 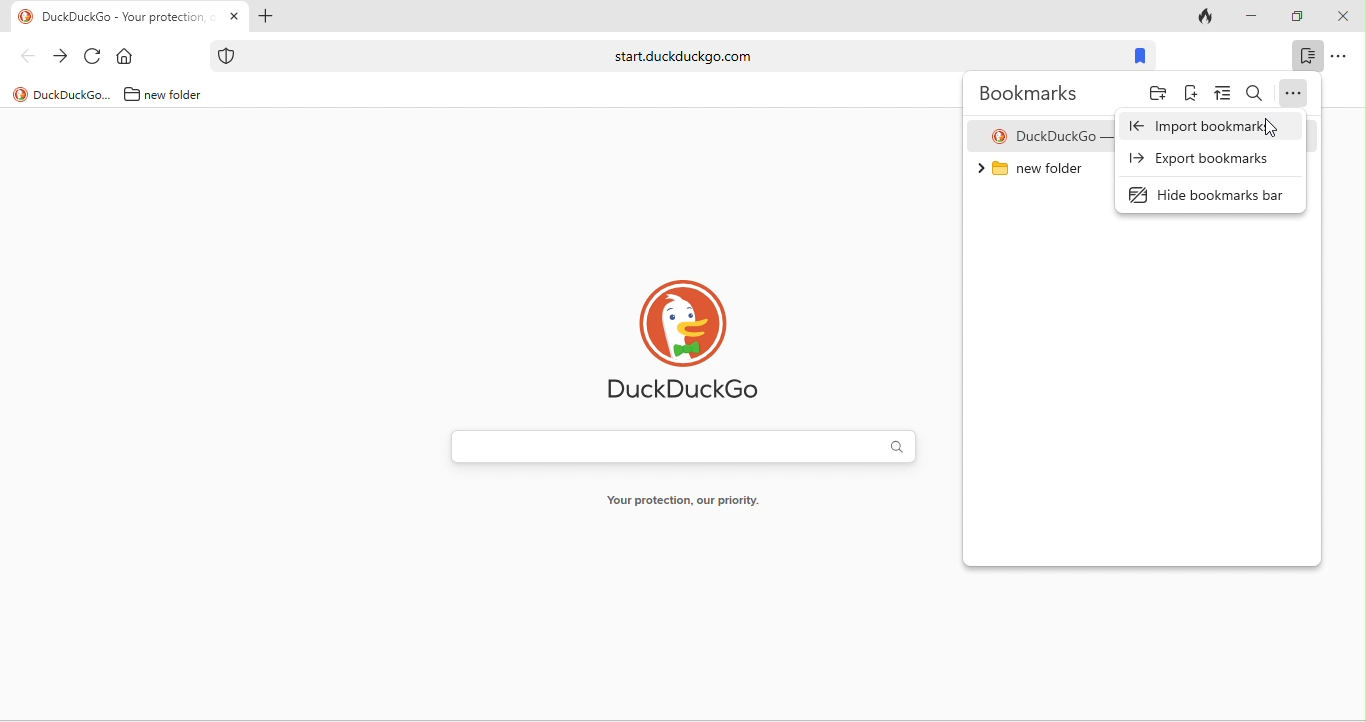 What do you see at coordinates (73, 94) in the screenshot?
I see `DuckDuckGo...` at bounding box center [73, 94].